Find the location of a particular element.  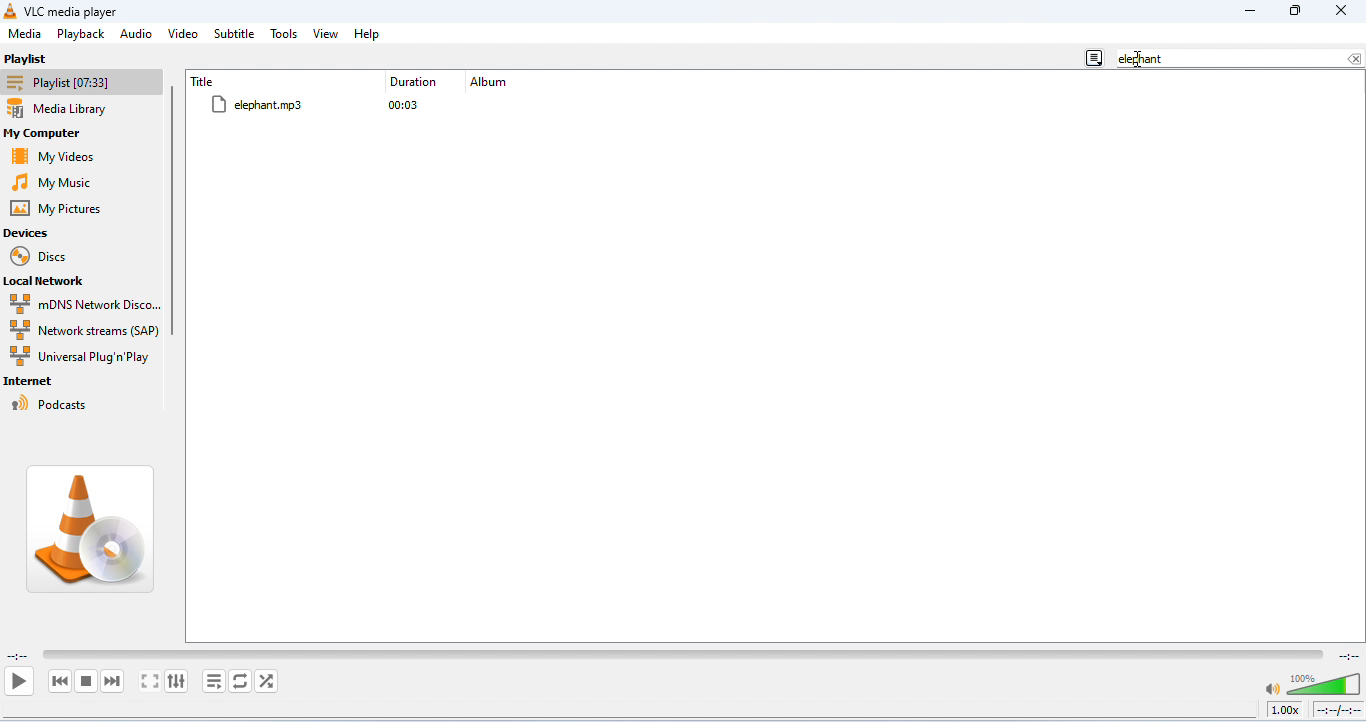

play is located at coordinates (18, 680).